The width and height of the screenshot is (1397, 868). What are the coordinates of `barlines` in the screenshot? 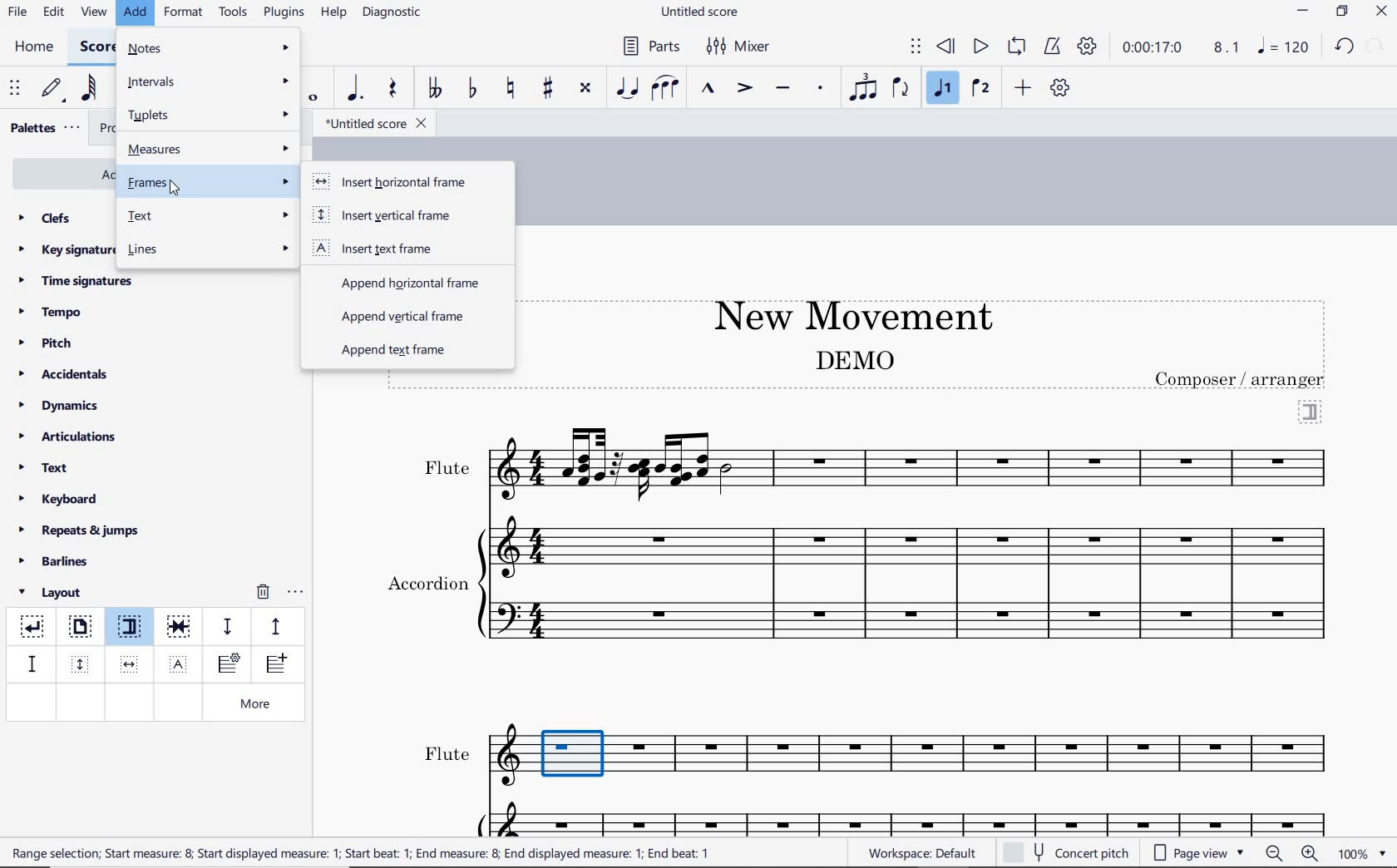 It's located at (59, 562).